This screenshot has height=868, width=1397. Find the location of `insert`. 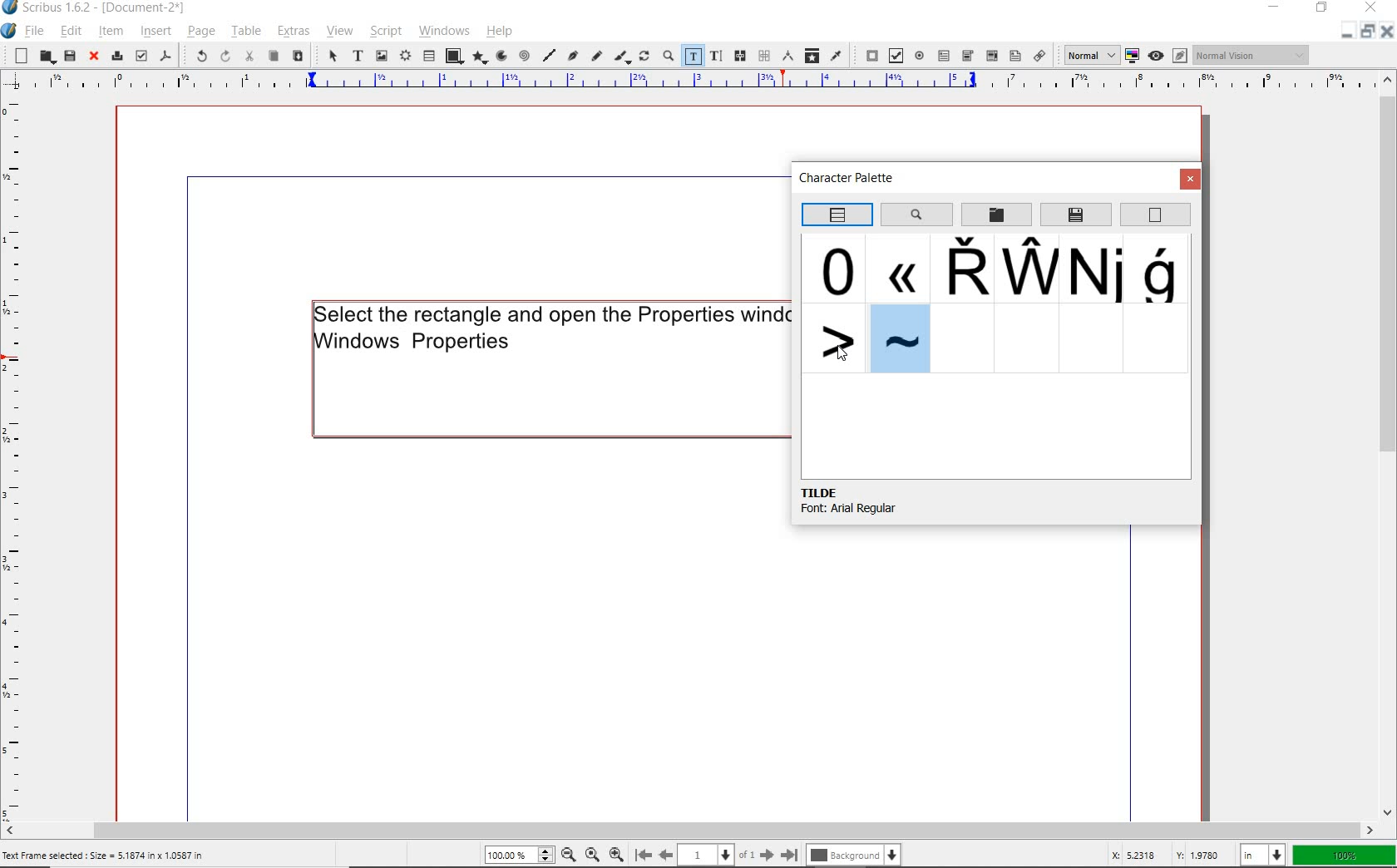

insert is located at coordinates (155, 31).